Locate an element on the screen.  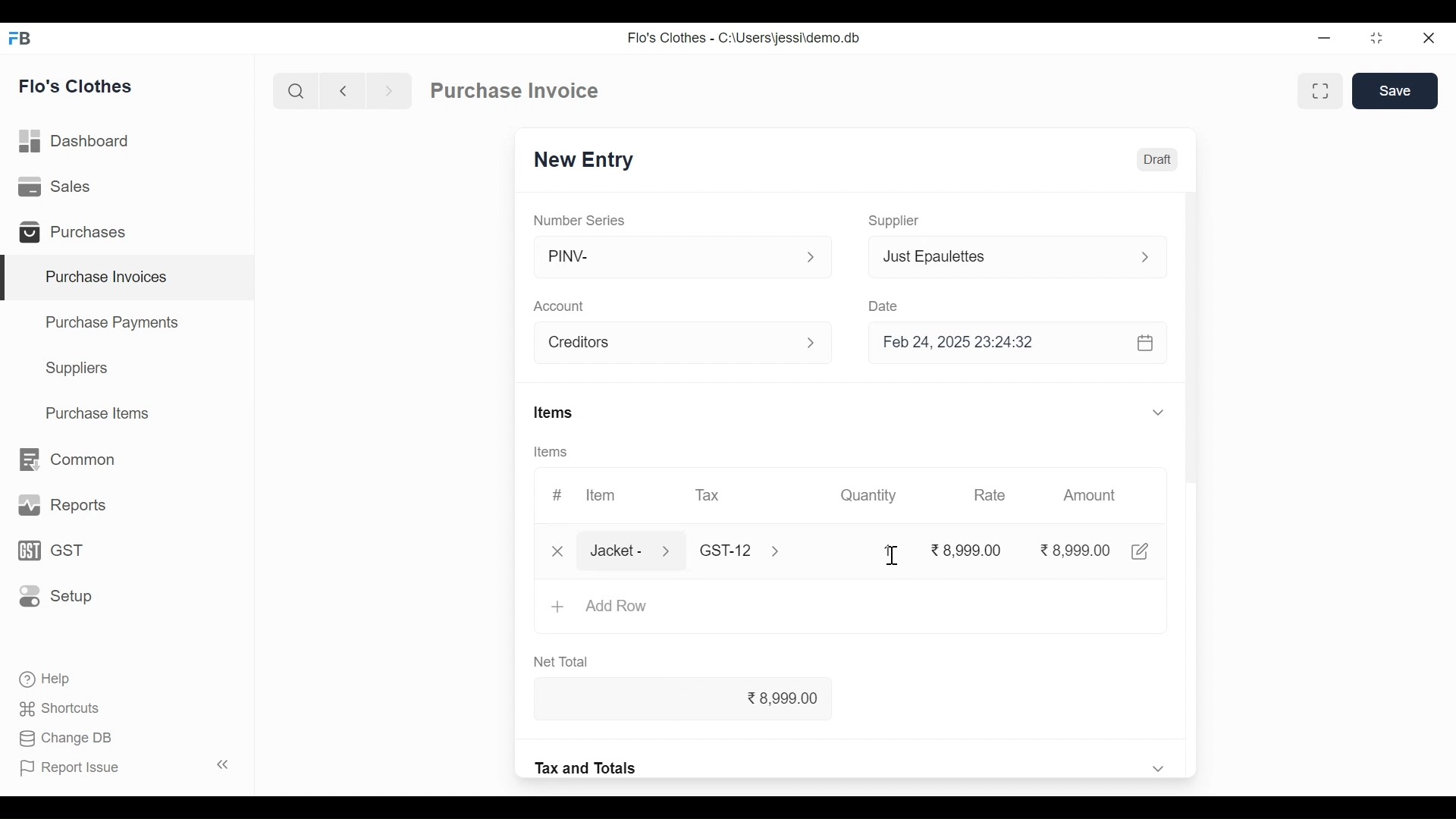
+ is located at coordinates (557, 608).